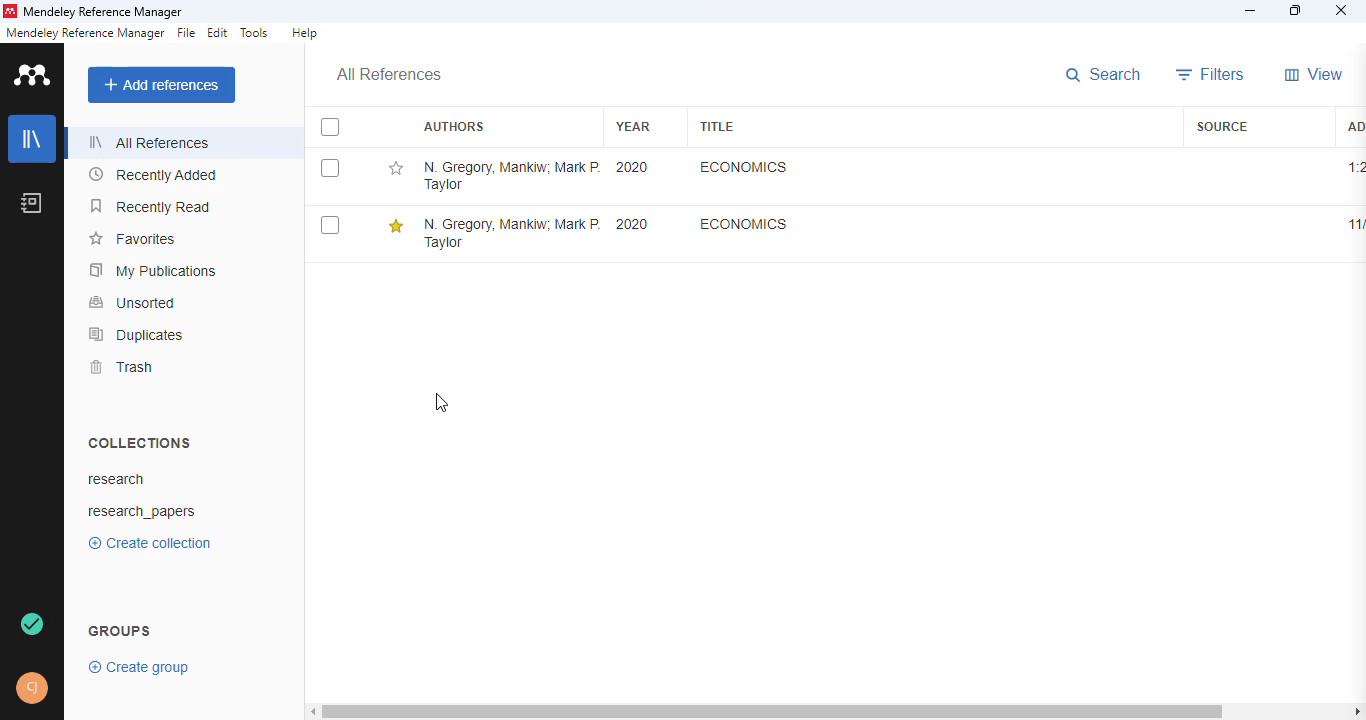 The width and height of the screenshot is (1366, 720). What do you see at coordinates (632, 126) in the screenshot?
I see `year` at bounding box center [632, 126].